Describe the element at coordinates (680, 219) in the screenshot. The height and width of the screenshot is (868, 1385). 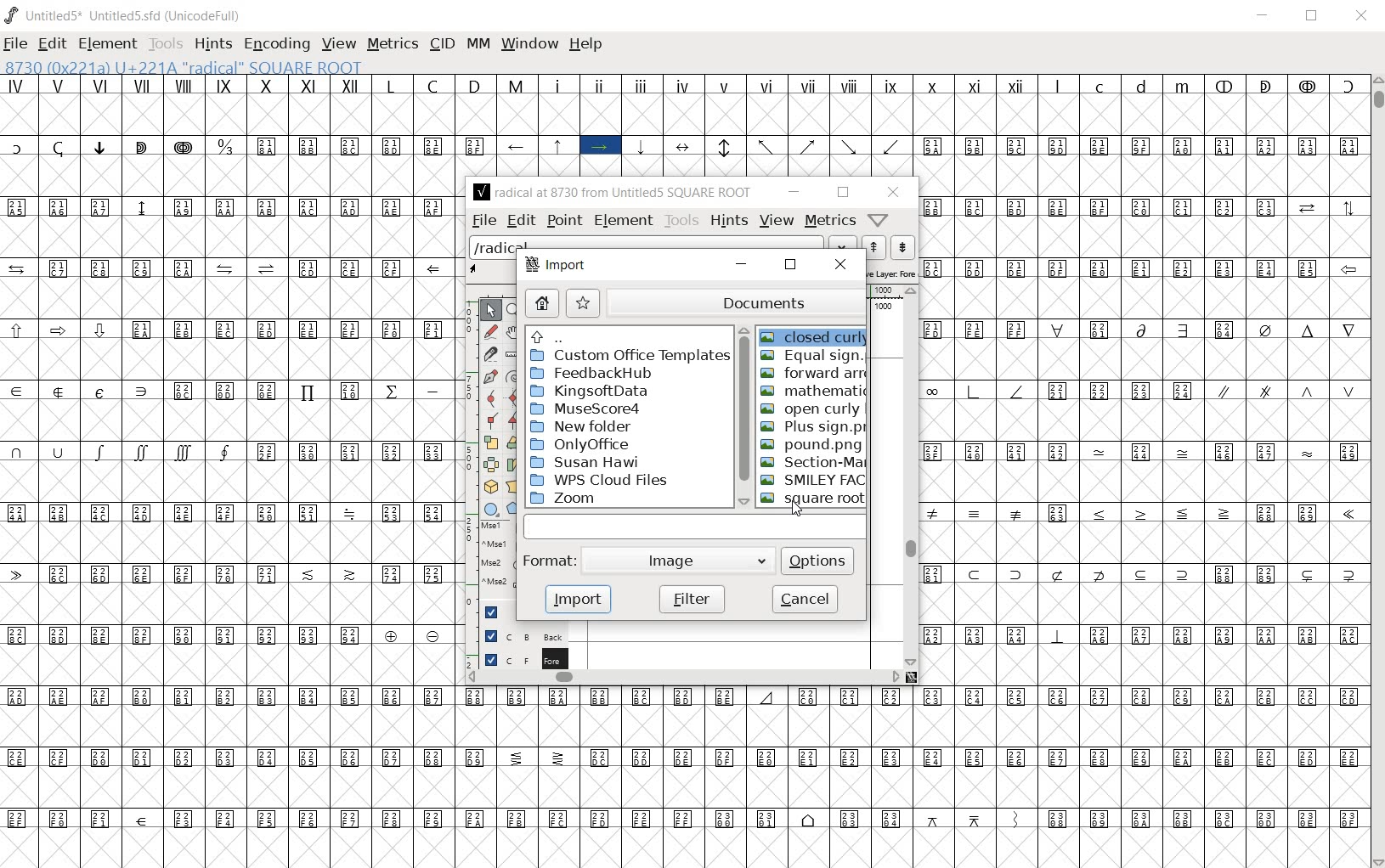
I see `tools` at that location.